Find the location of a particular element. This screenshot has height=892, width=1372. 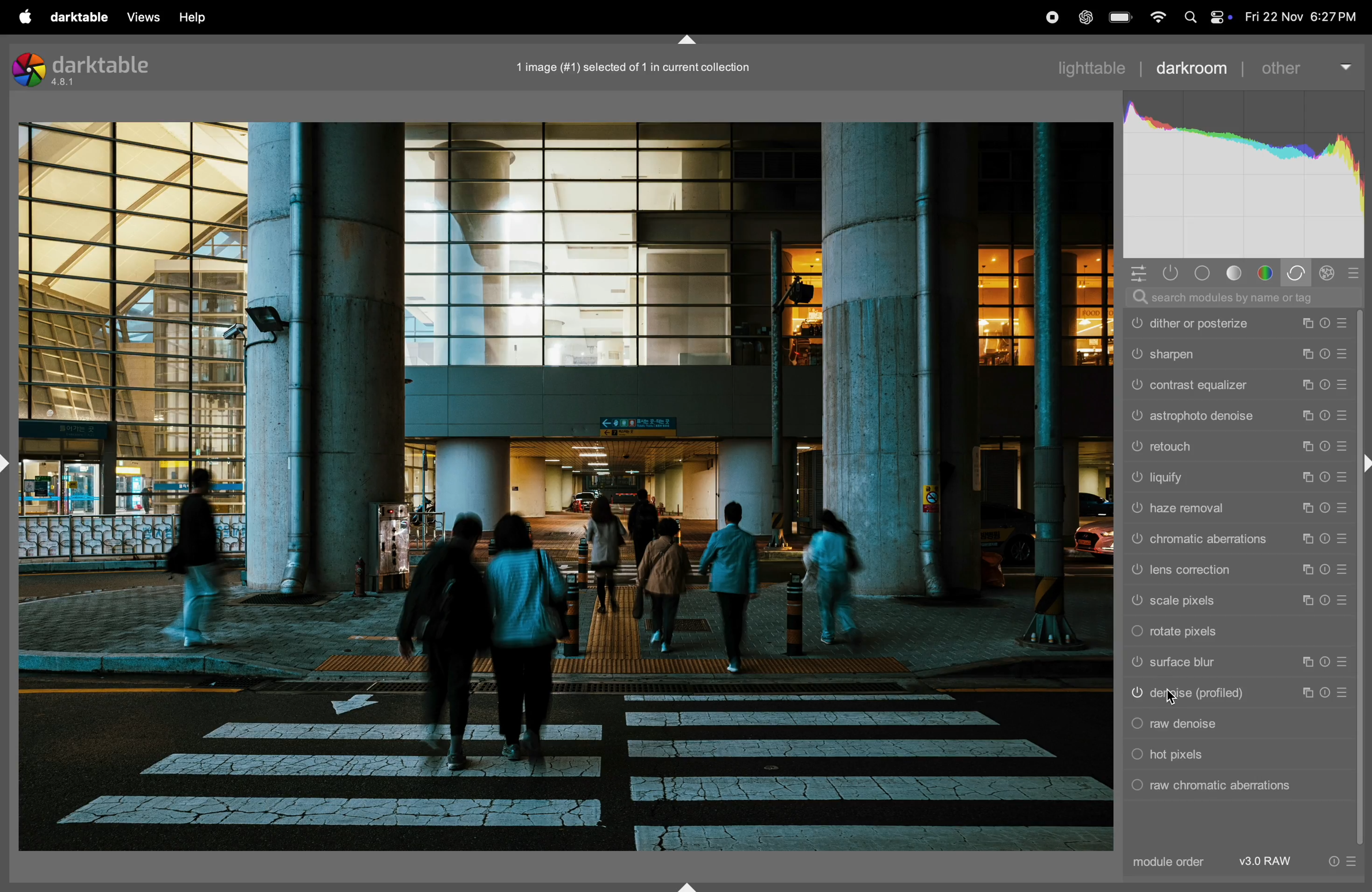

help is located at coordinates (198, 19).